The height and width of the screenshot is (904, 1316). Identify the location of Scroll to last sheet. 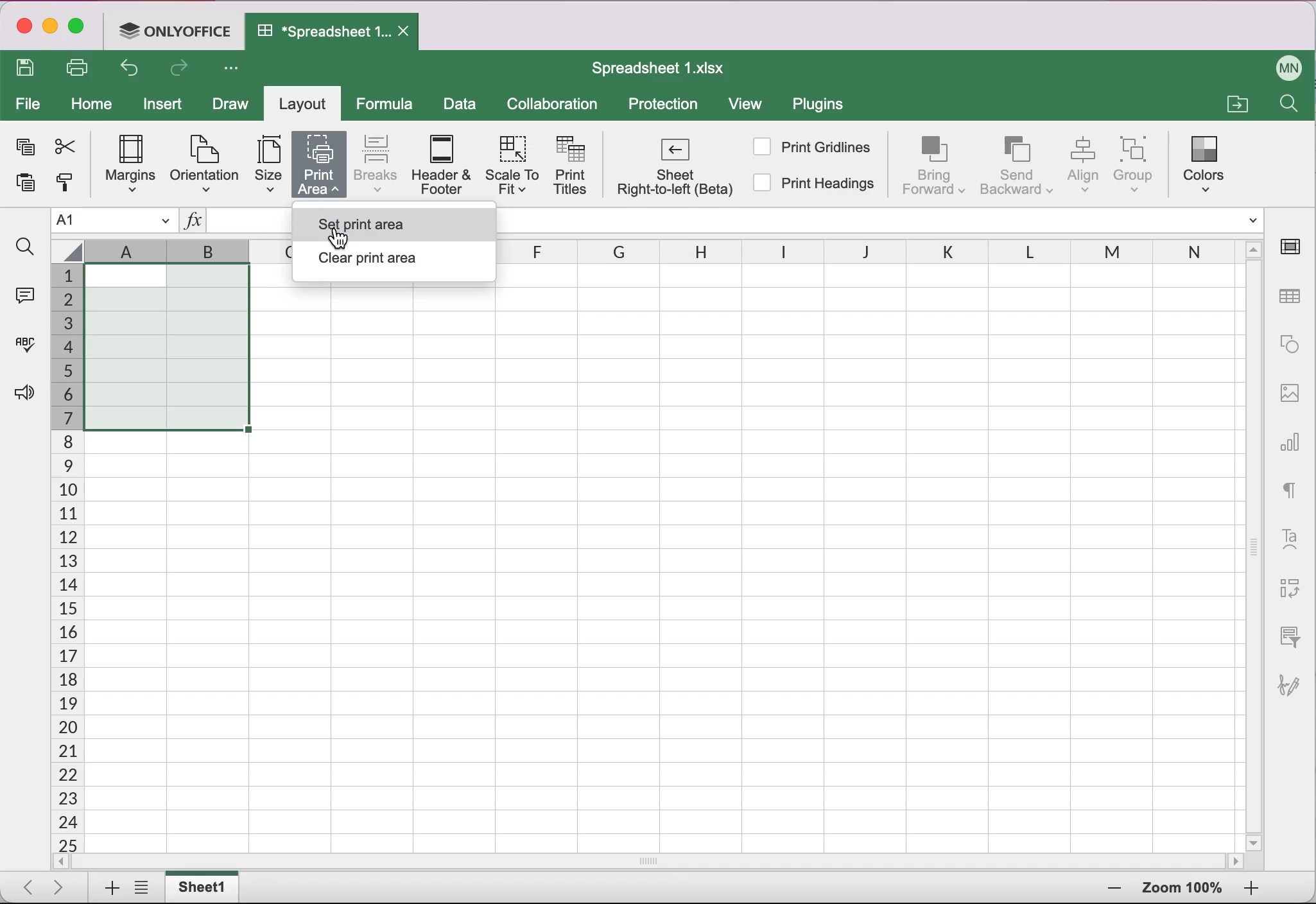
(64, 886).